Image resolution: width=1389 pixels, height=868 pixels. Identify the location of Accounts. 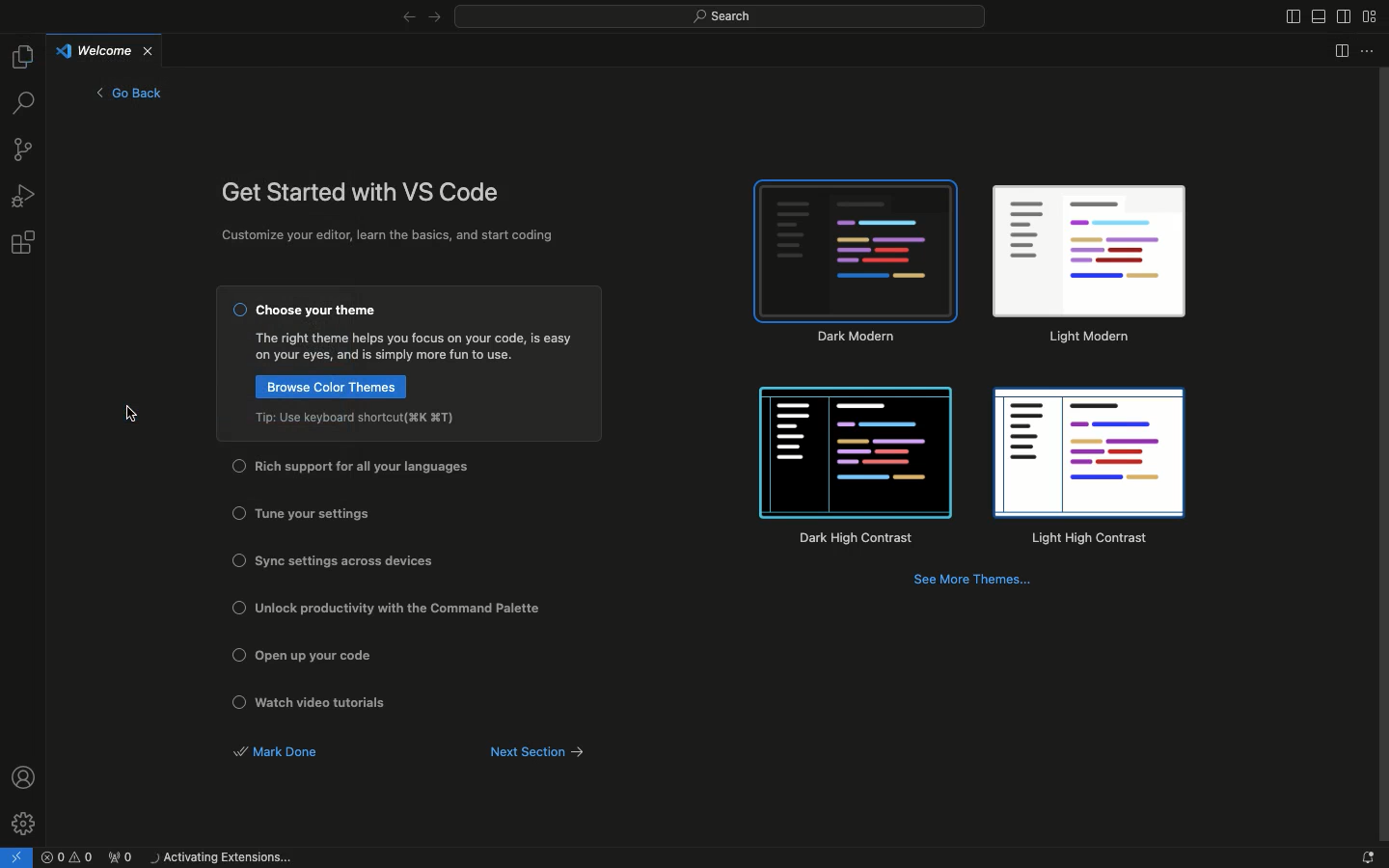
(26, 776).